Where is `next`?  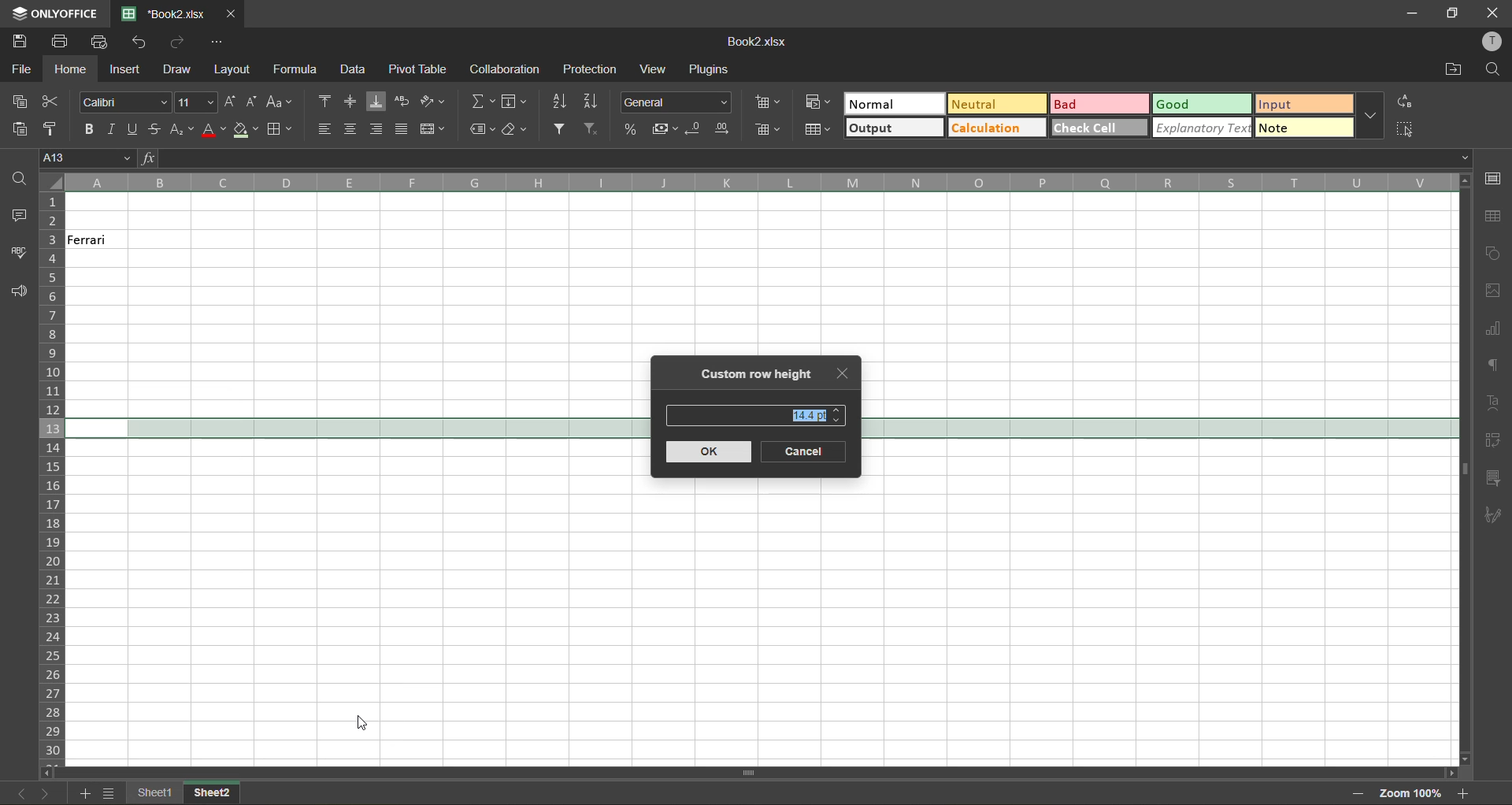
next is located at coordinates (45, 793).